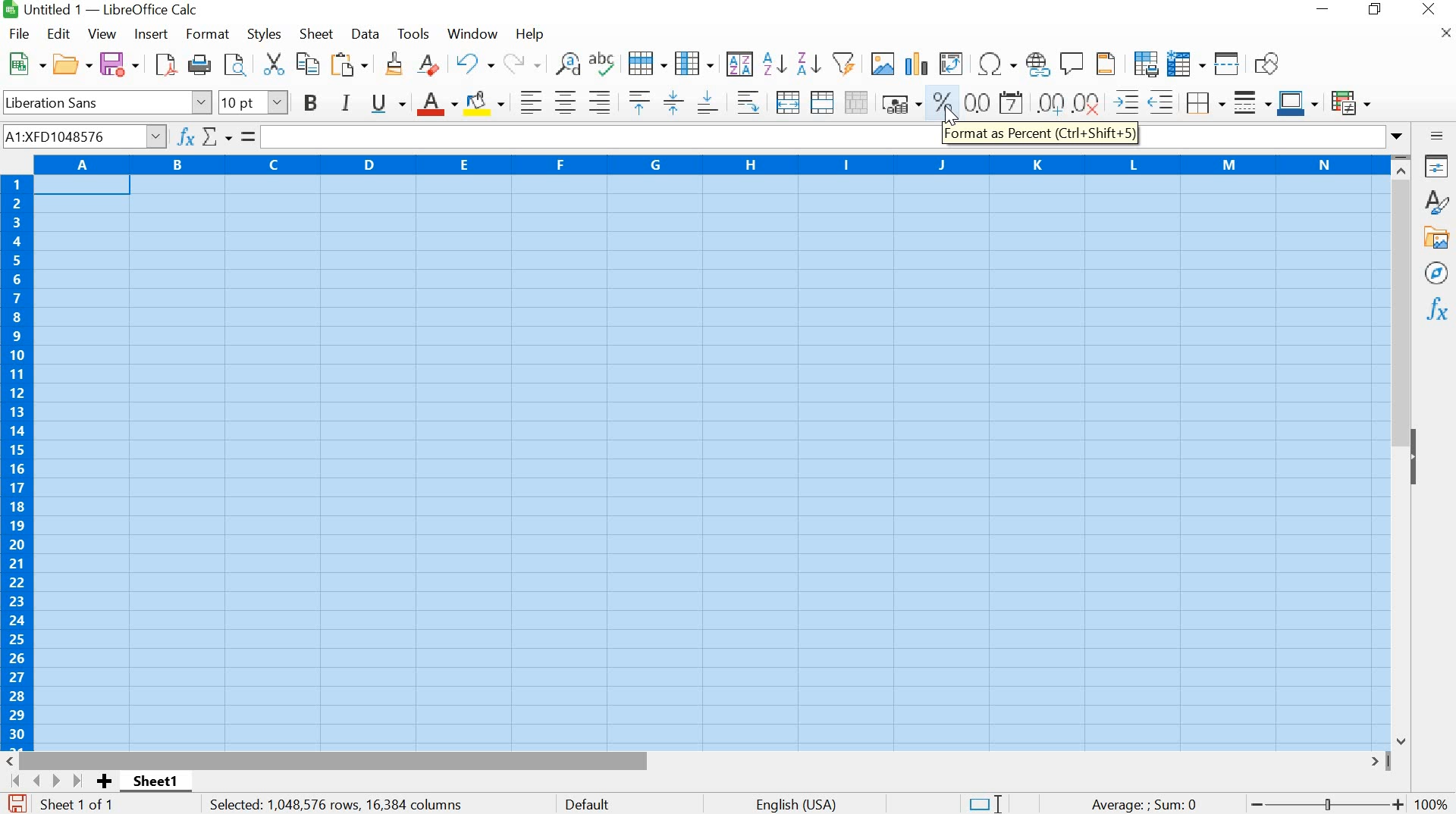  Describe the element at coordinates (886, 66) in the screenshot. I see `Insert Image` at that location.